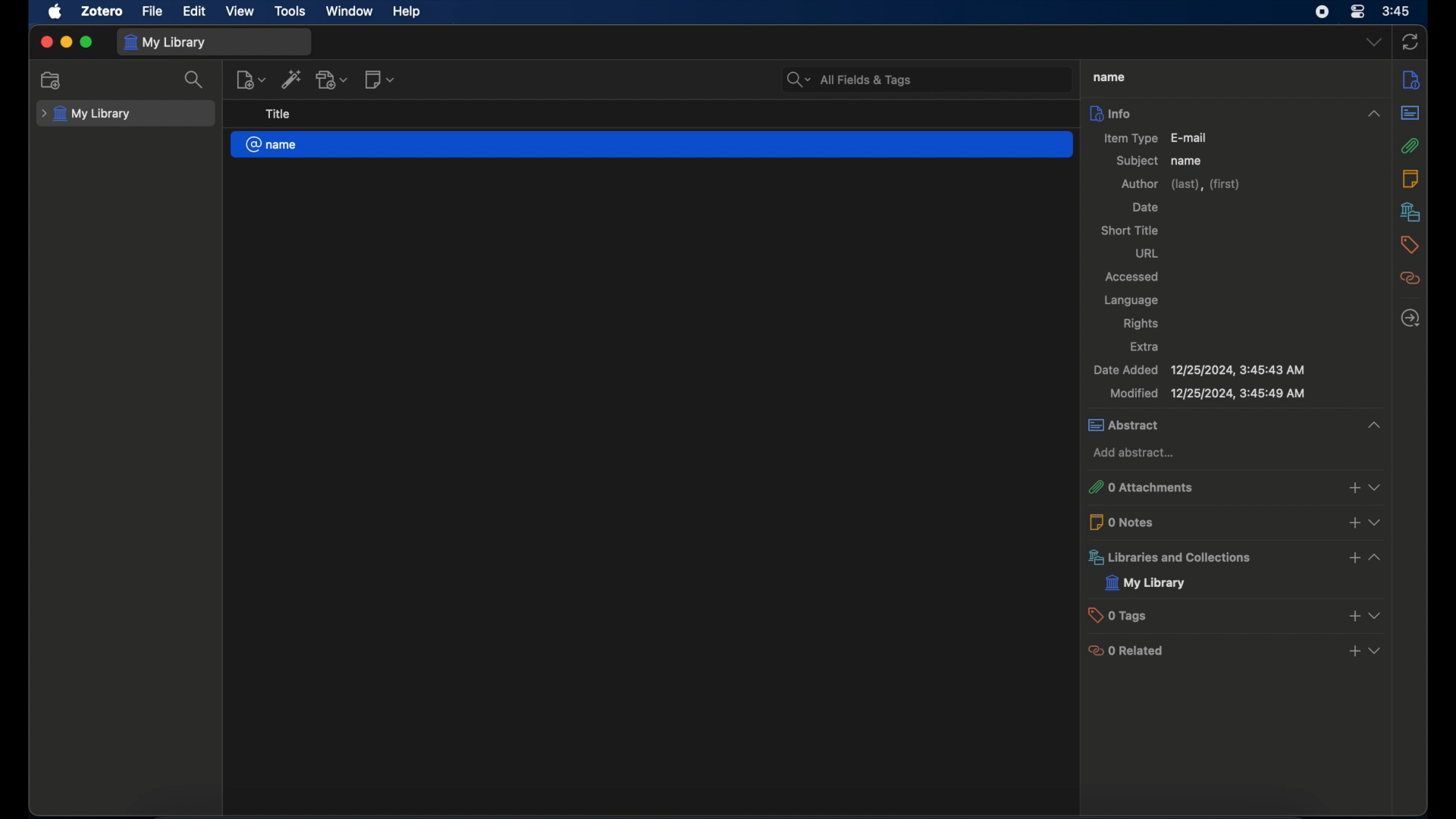 This screenshot has height=819, width=1456. I want to click on item type, so click(1155, 137).